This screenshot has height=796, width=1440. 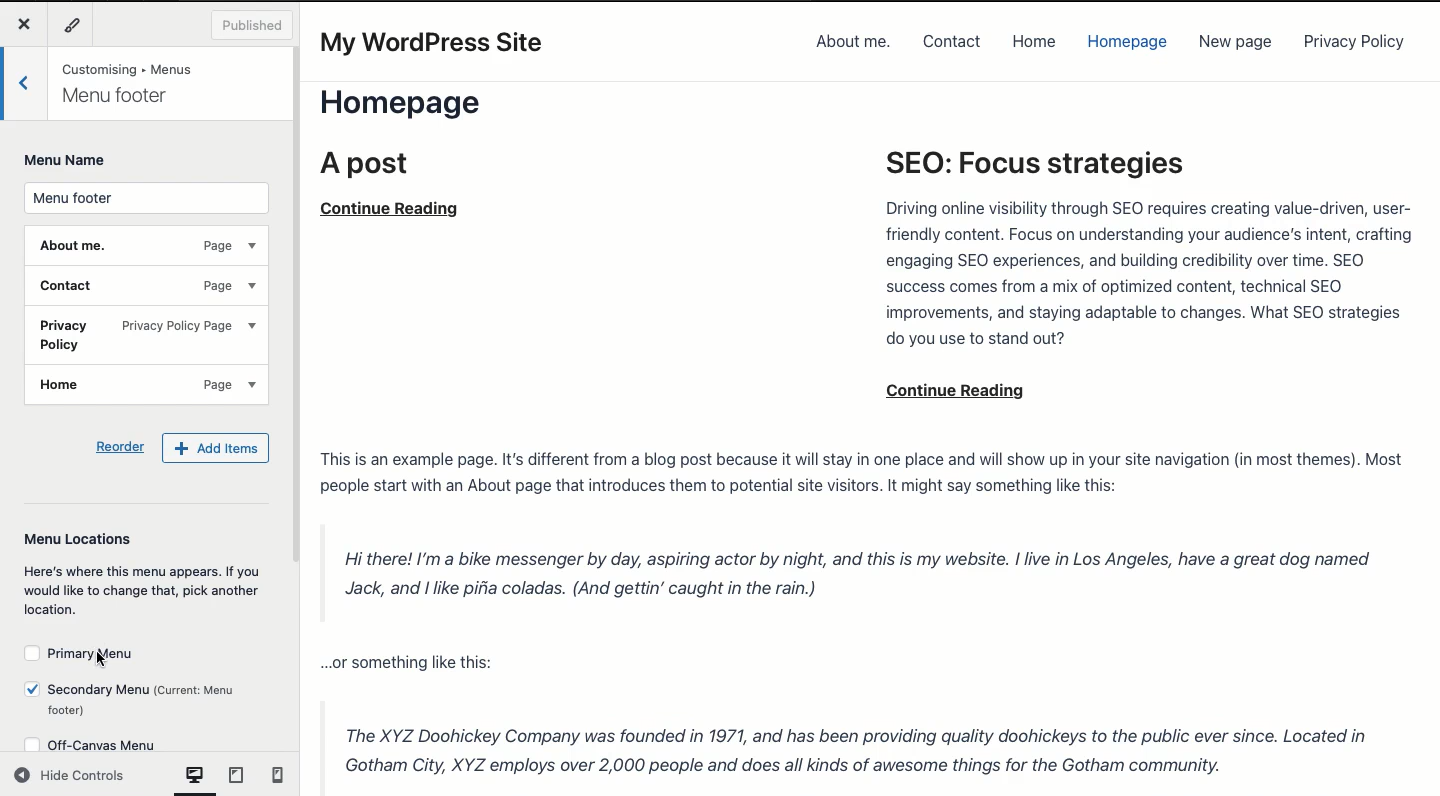 What do you see at coordinates (149, 287) in the screenshot?
I see `Contact` at bounding box center [149, 287].